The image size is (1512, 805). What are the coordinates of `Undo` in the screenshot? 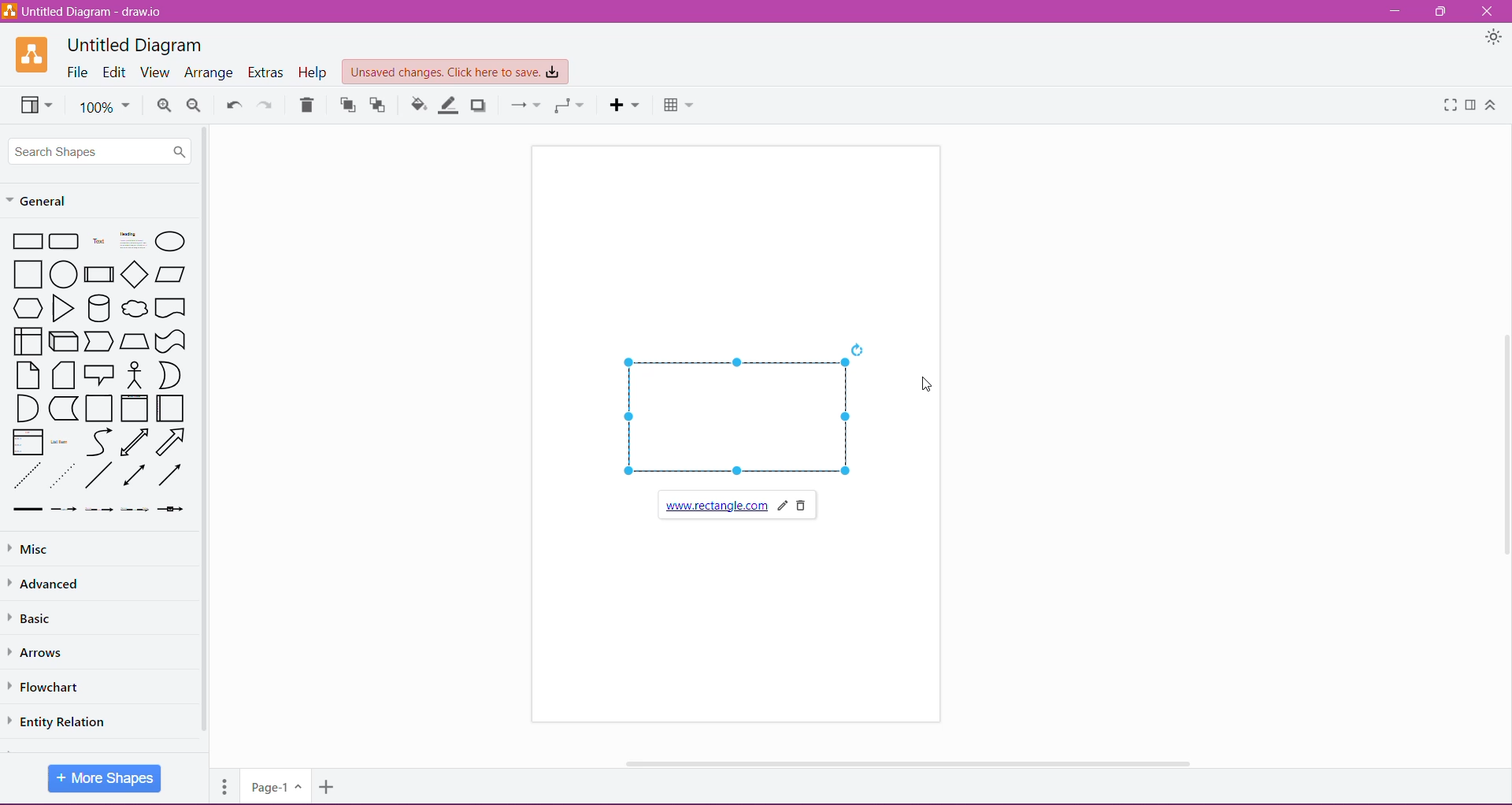 It's located at (235, 102).